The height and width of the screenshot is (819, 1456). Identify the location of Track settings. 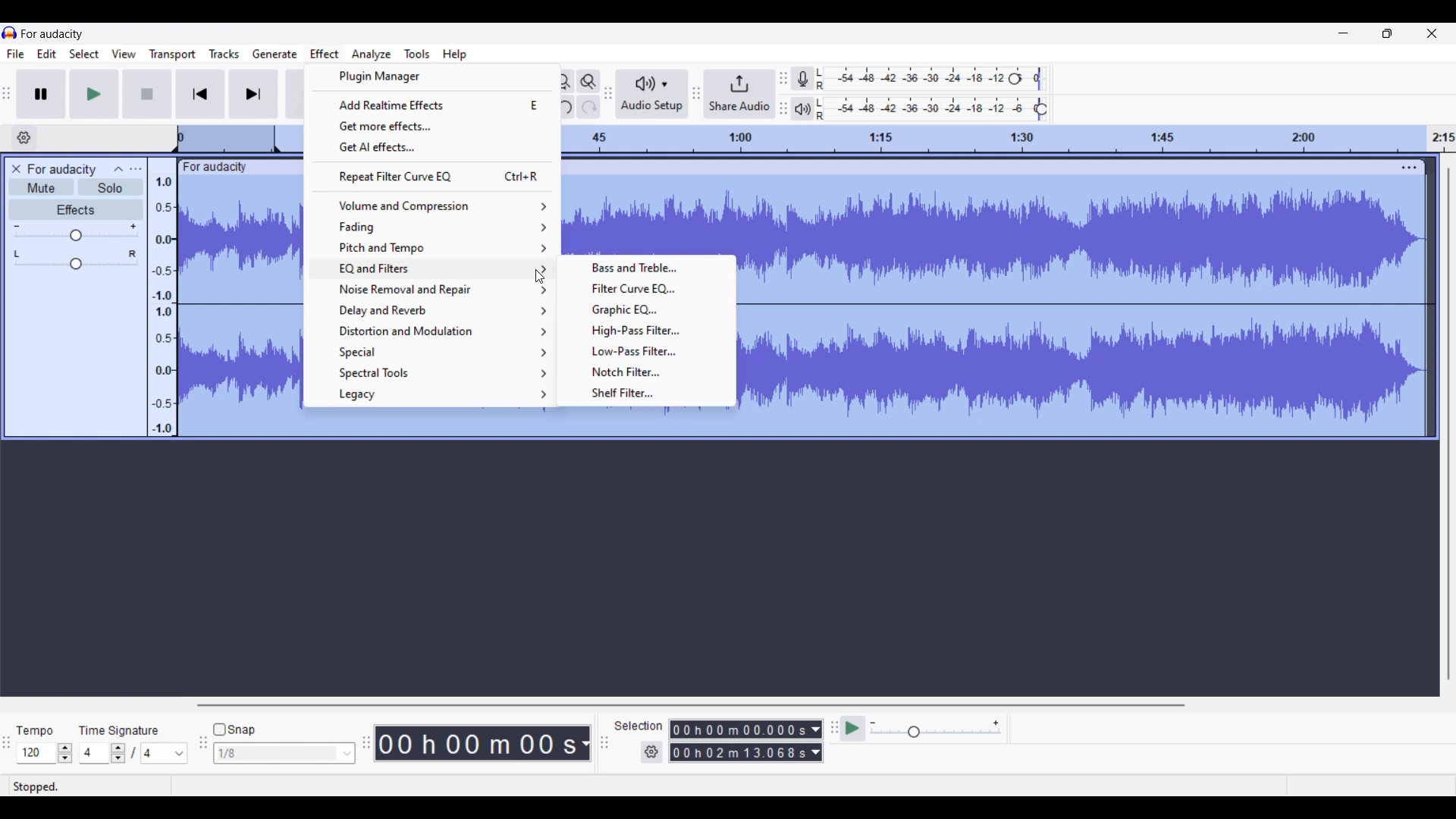
(1409, 168).